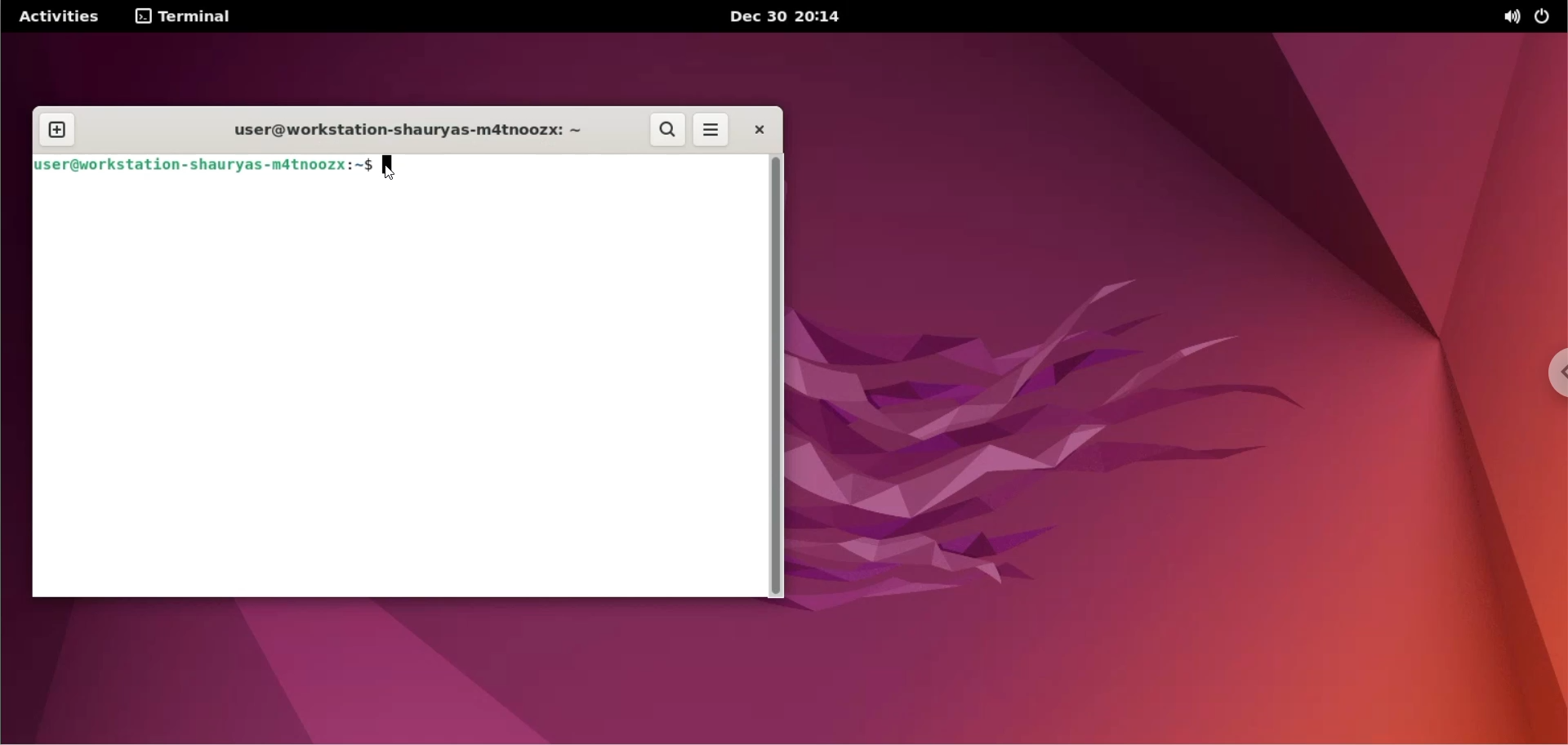  What do you see at coordinates (775, 377) in the screenshot?
I see `scrollbar` at bounding box center [775, 377].